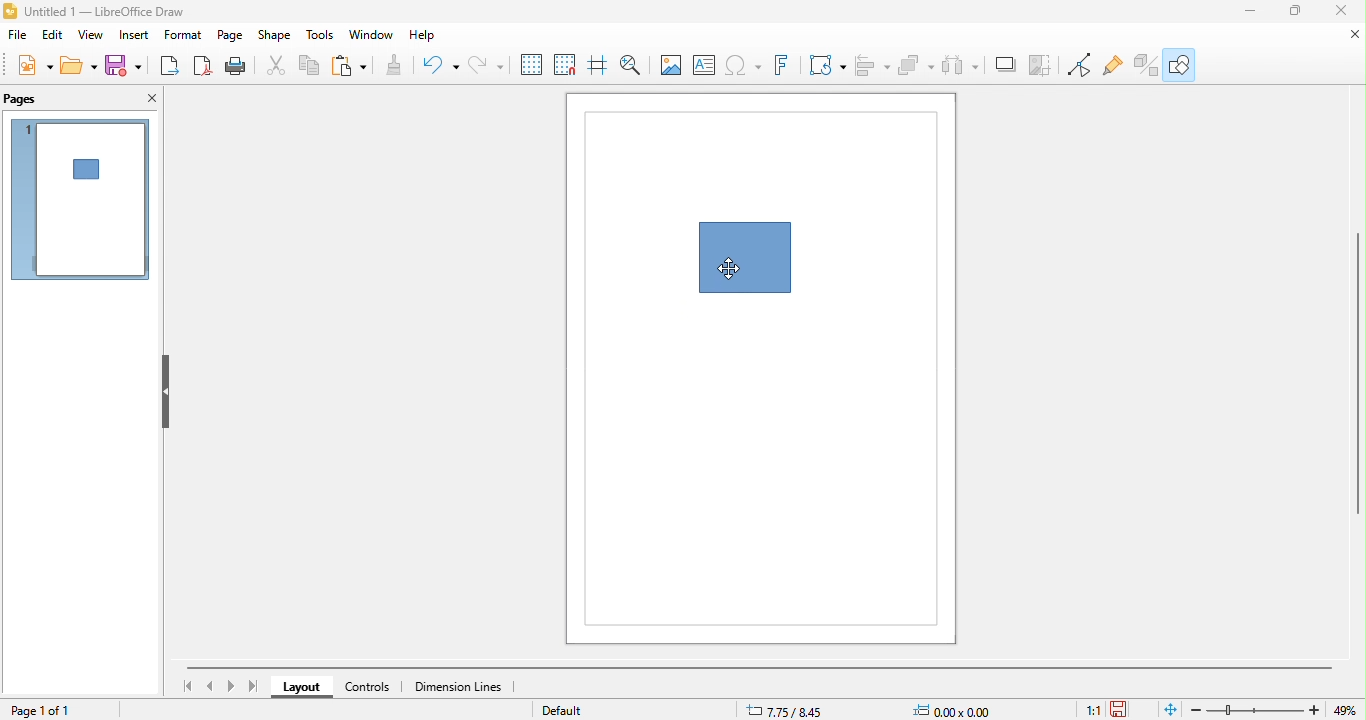  What do you see at coordinates (431, 39) in the screenshot?
I see `help` at bounding box center [431, 39].